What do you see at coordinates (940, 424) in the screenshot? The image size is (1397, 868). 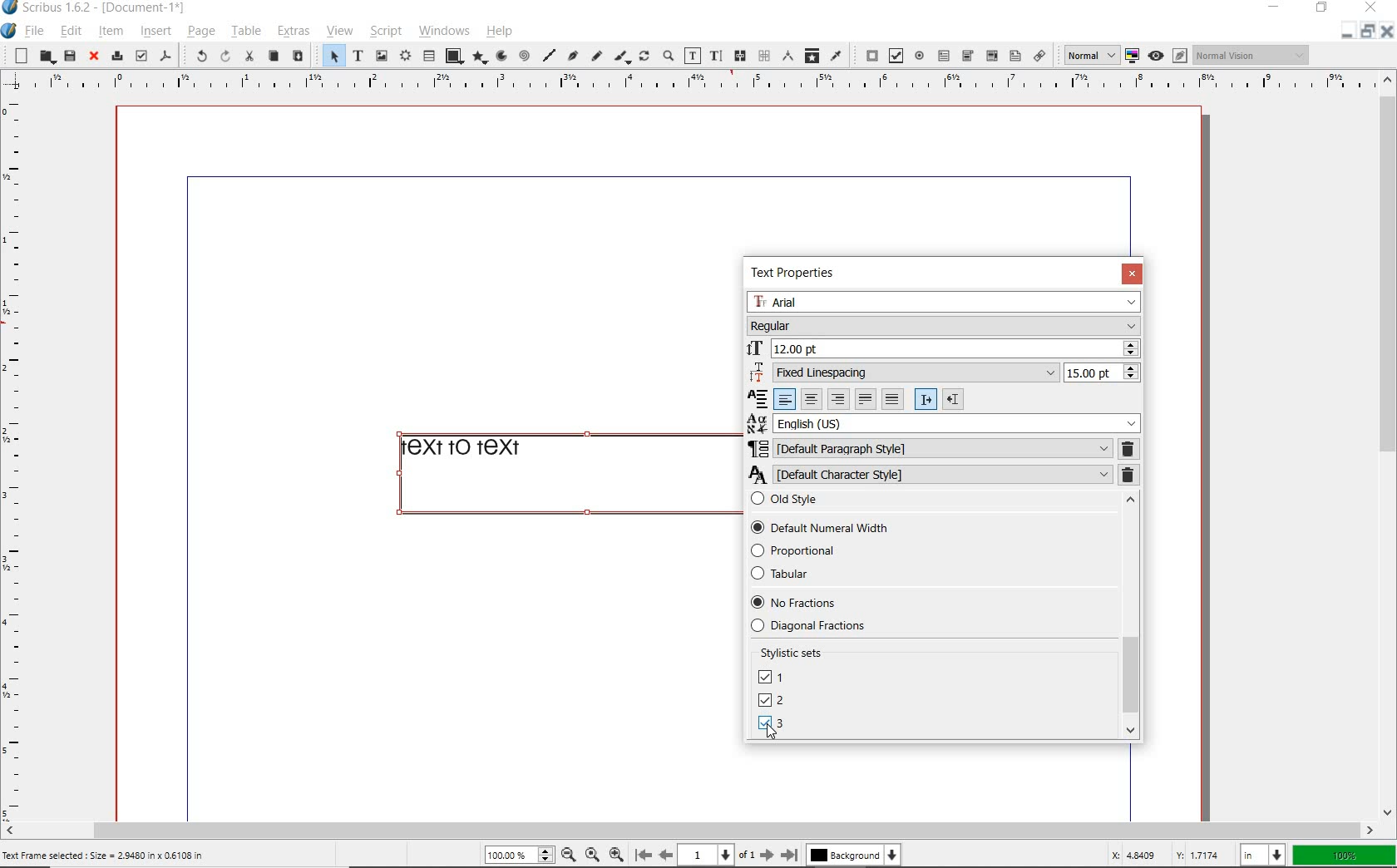 I see `English (US)` at bounding box center [940, 424].